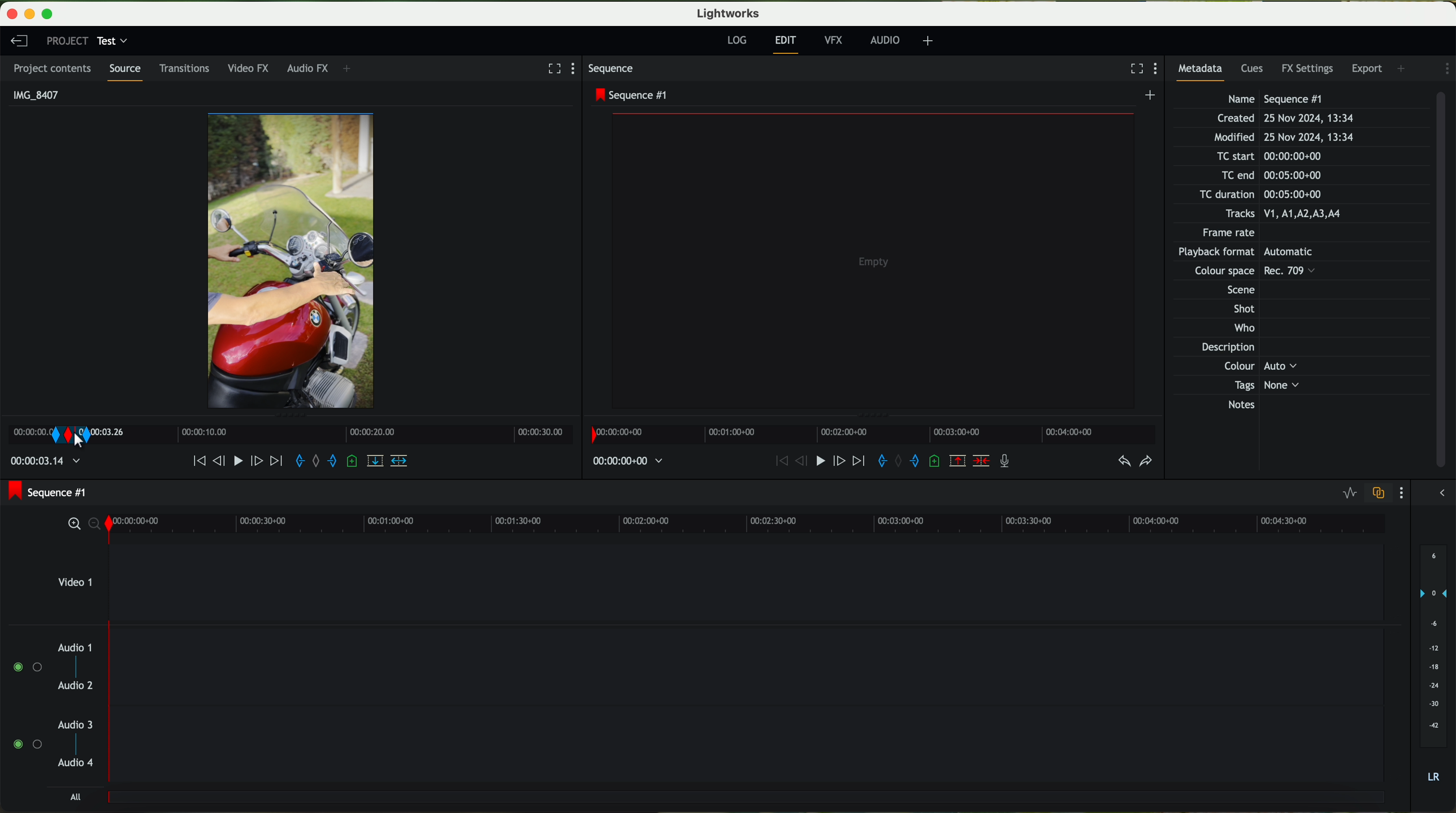 The width and height of the screenshot is (1456, 813). I want to click on show/hide the full audio mix menu, so click(1442, 491).